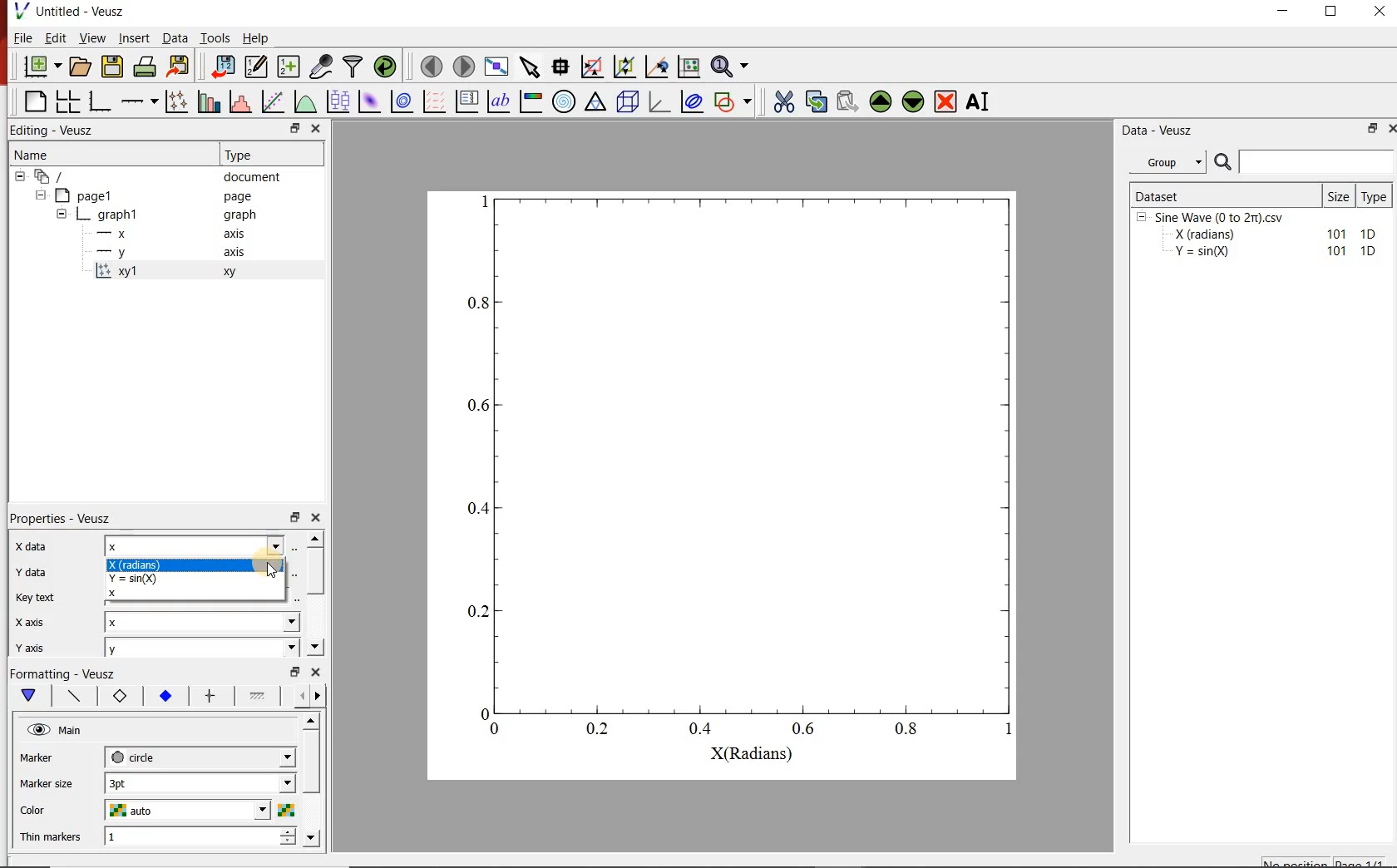  I want to click on add an axis, so click(139, 101).